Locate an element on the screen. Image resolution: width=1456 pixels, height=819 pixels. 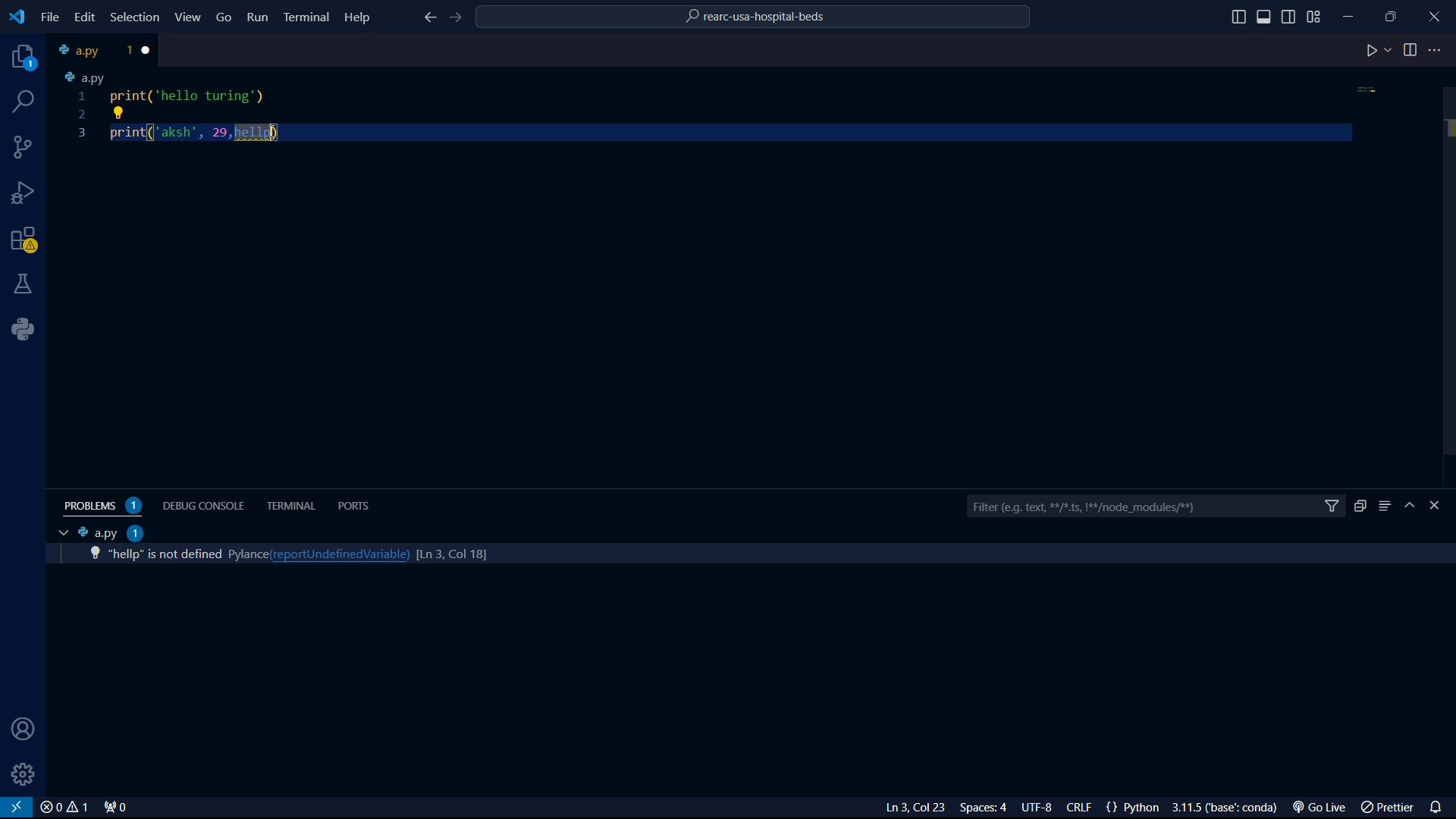
projects is located at coordinates (20, 58).